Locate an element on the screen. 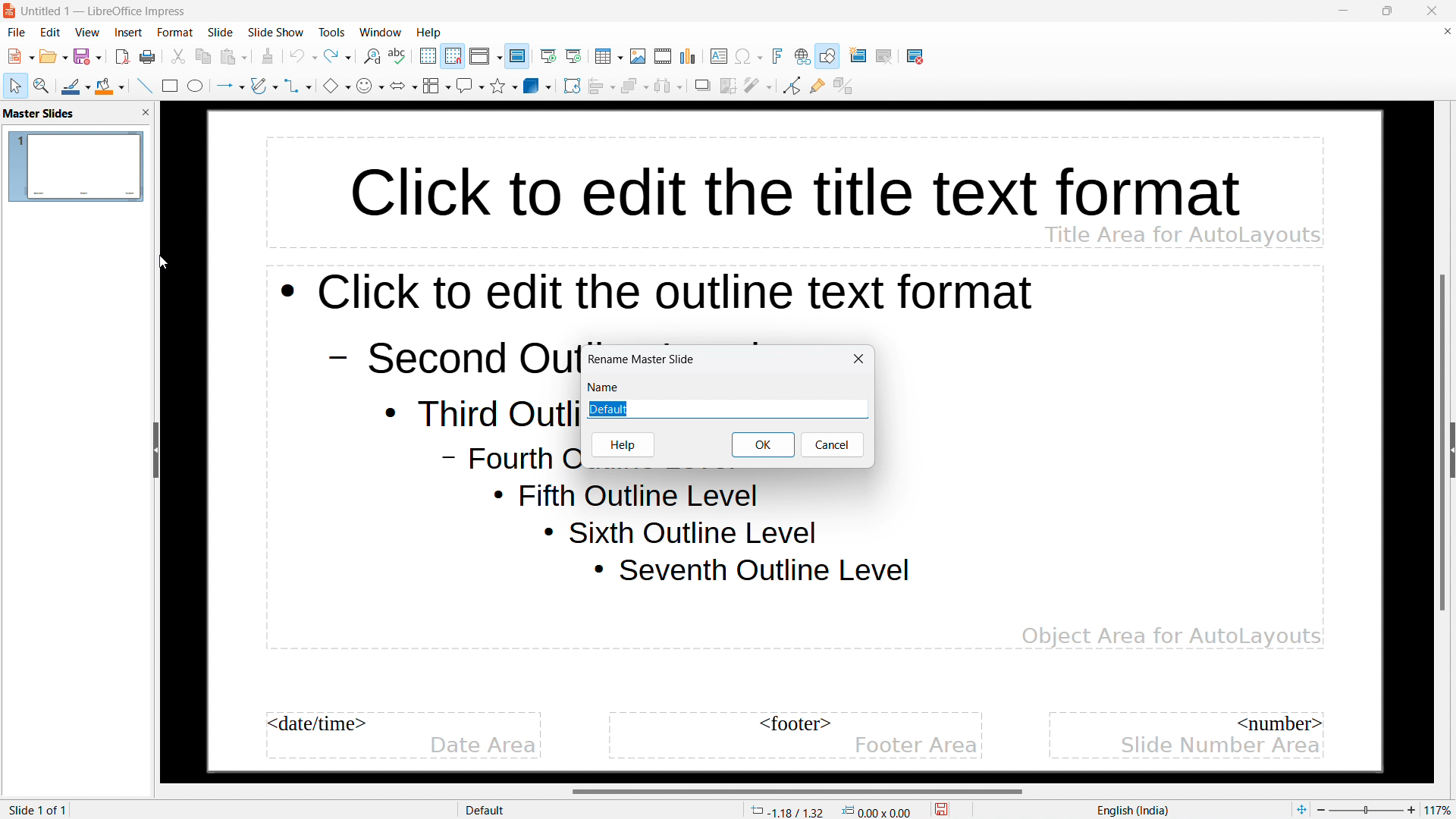 The image size is (1456, 819). Seventh outline level is located at coordinates (752, 573).